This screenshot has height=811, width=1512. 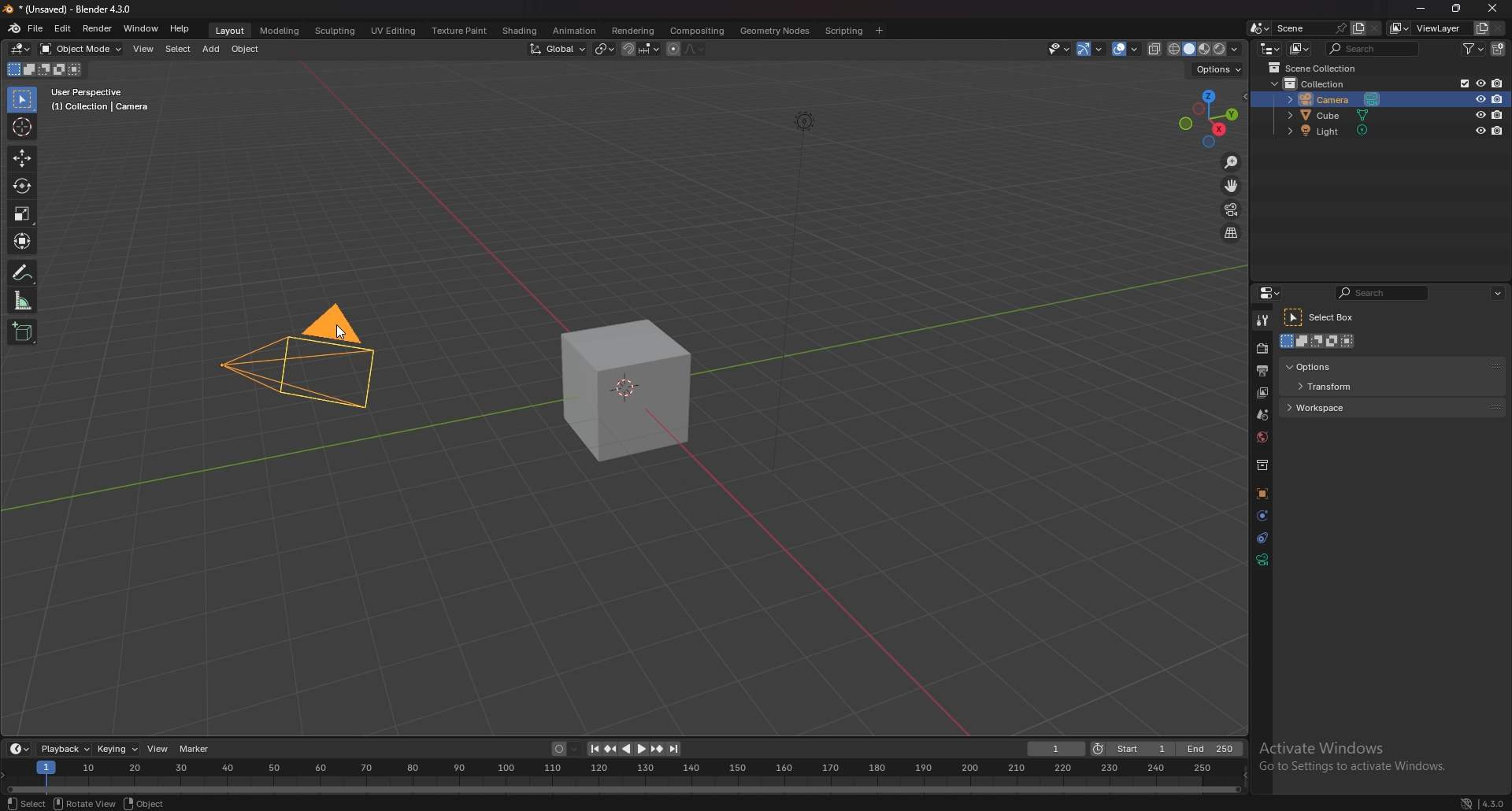 I want to click on , so click(x=784, y=294).